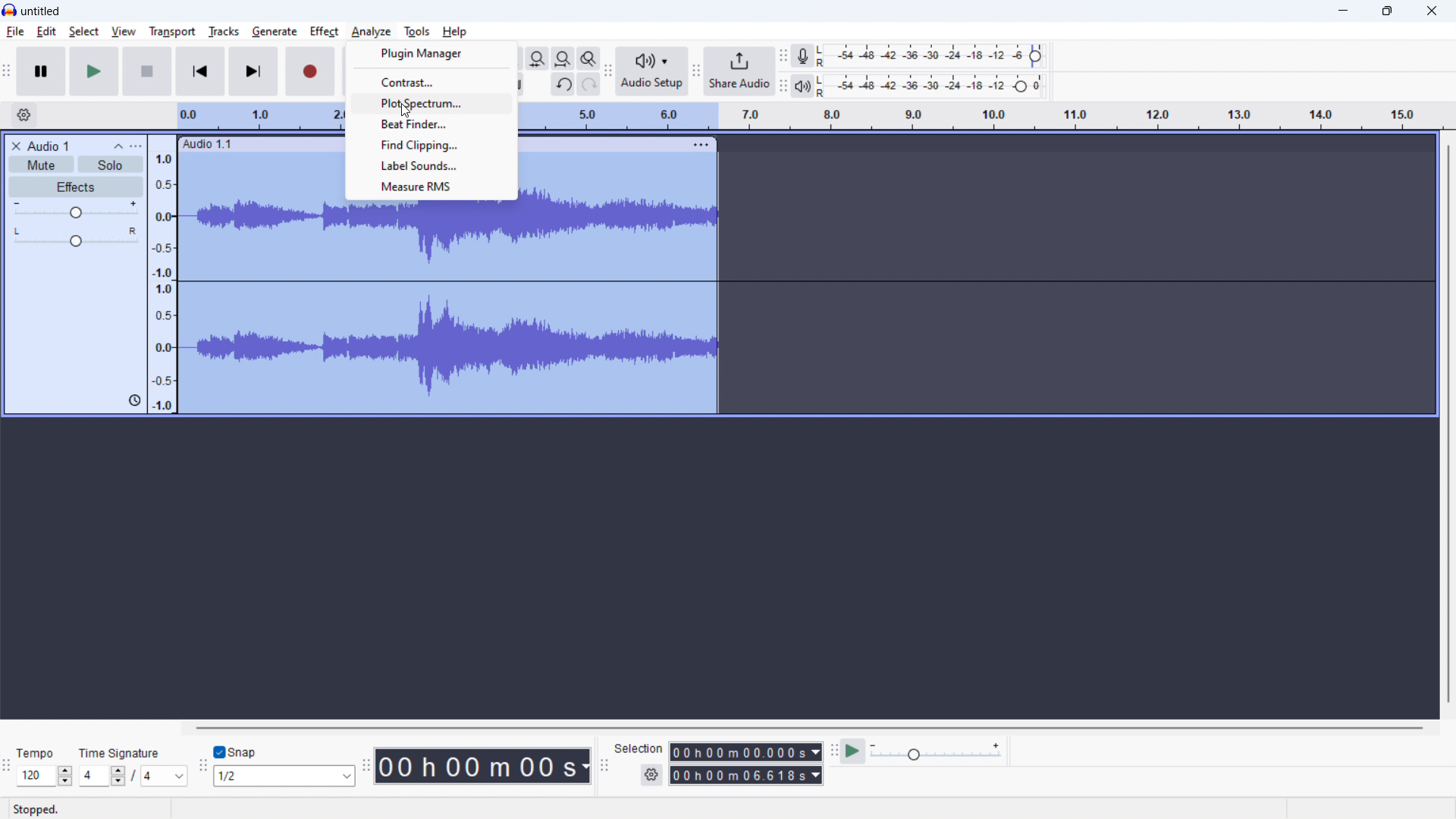  Describe the element at coordinates (224, 30) in the screenshot. I see `tracks` at that location.